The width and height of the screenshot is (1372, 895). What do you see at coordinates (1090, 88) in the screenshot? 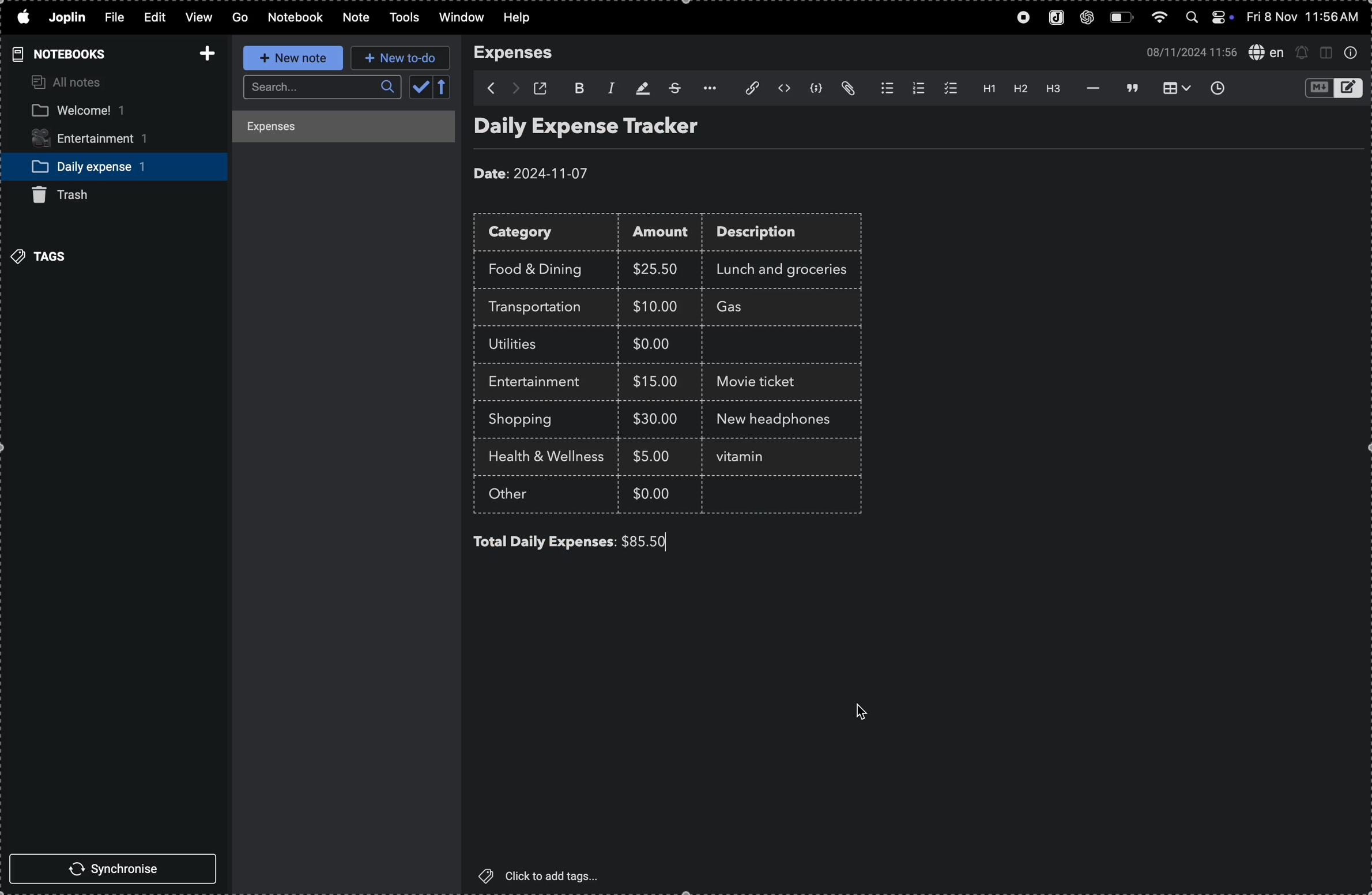
I see `horrizontal line` at bounding box center [1090, 88].